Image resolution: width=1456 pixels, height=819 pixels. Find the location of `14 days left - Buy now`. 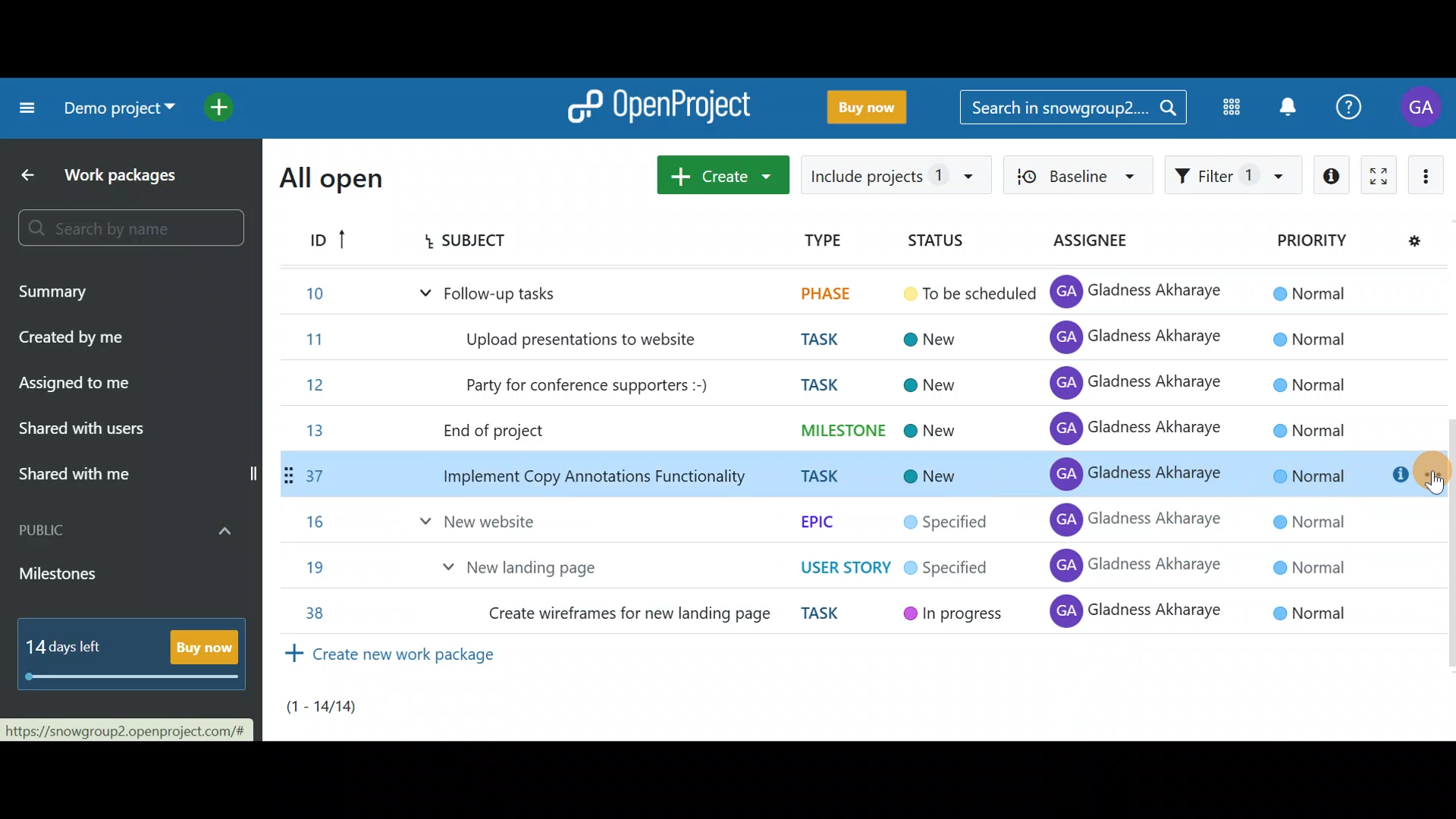

14 days left - Buy now is located at coordinates (129, 655).